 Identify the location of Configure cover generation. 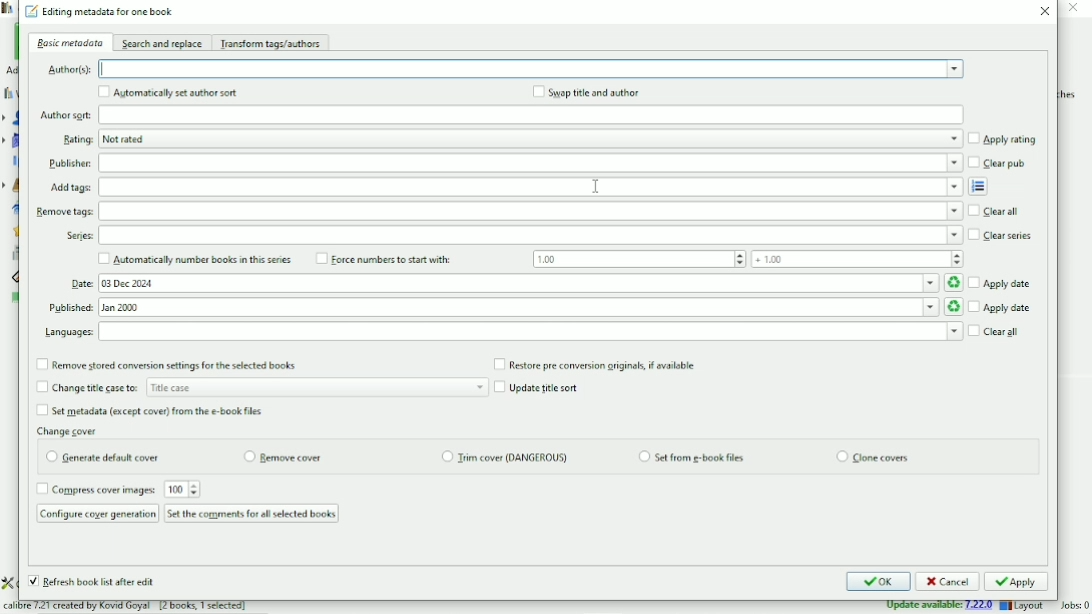
(97, 513).